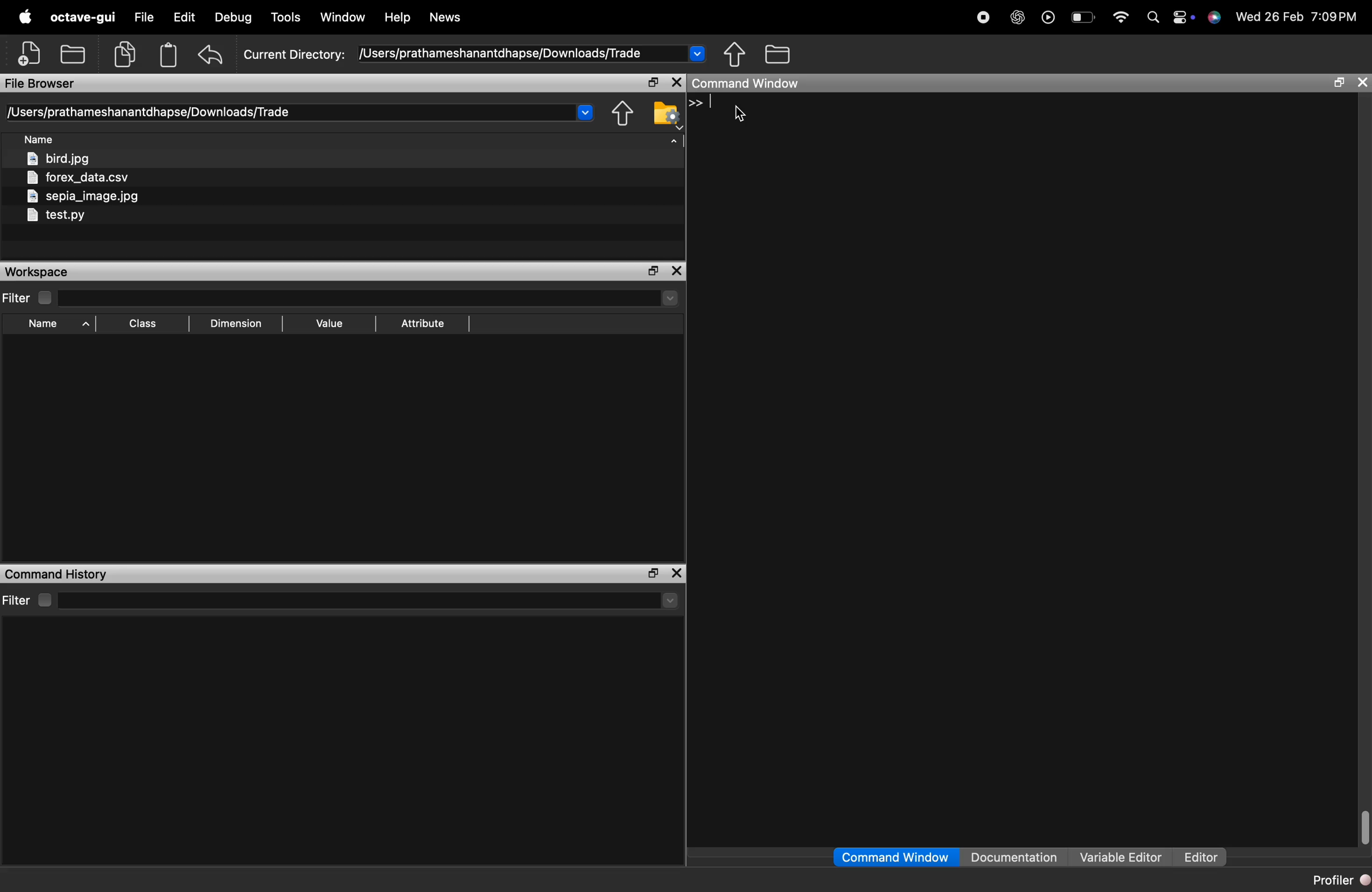  Describe the element at coordinates (762, 84) in the screenshot. I see `command window` at that location.